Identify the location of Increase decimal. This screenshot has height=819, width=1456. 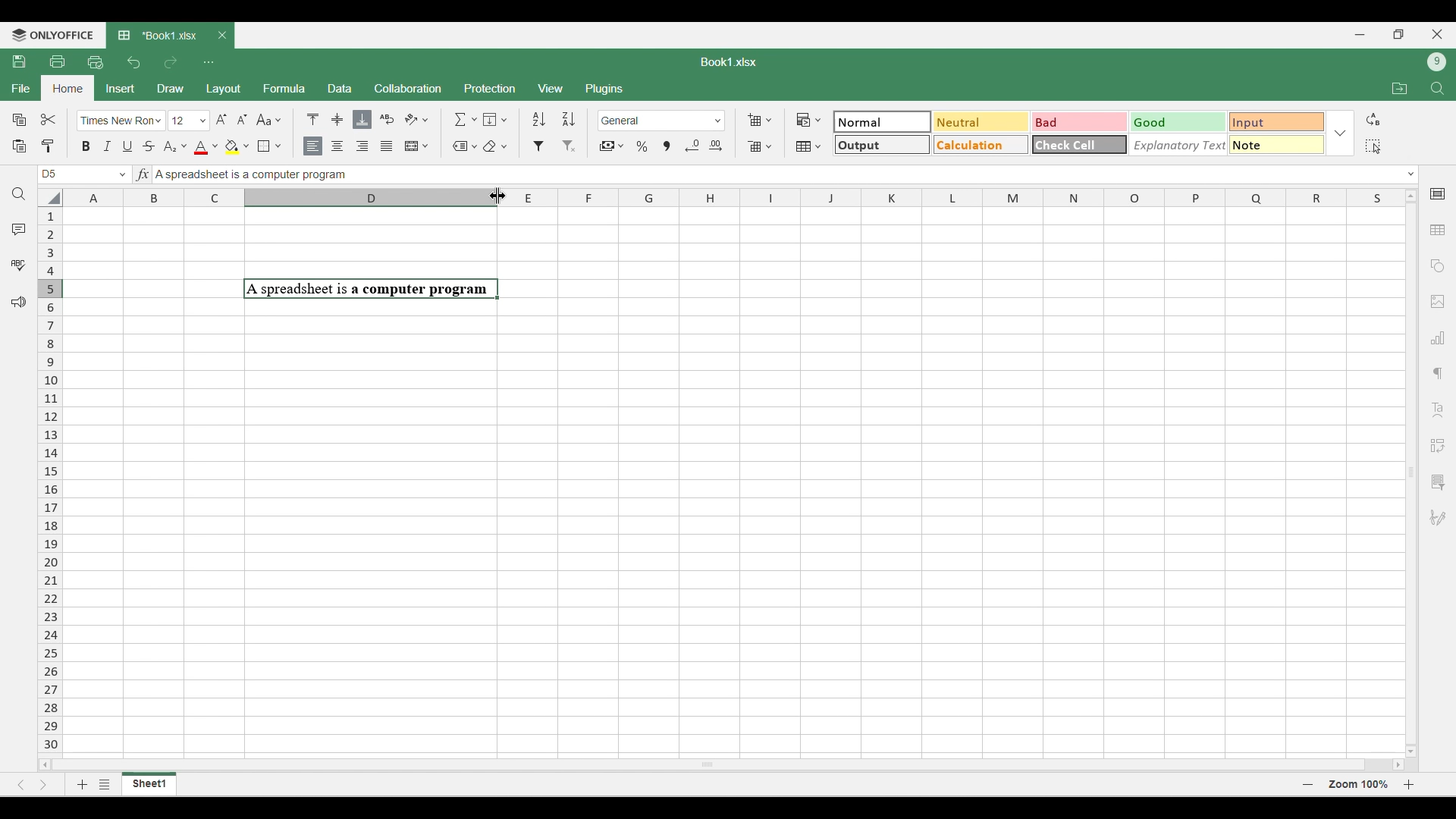
(715, 146).